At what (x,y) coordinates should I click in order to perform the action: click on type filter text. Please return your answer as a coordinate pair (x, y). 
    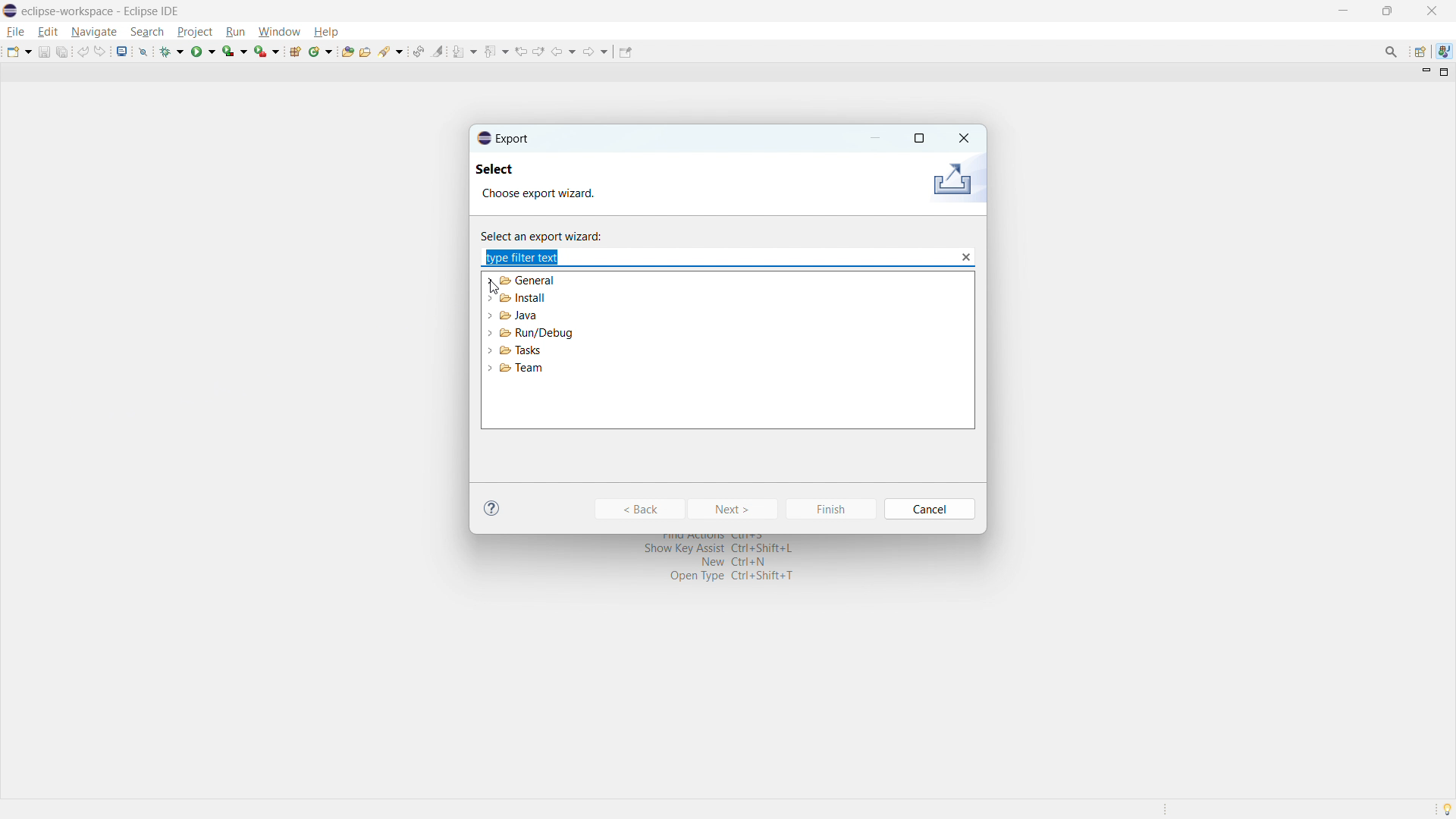
    Looking at the image, I should click on (527, 257).